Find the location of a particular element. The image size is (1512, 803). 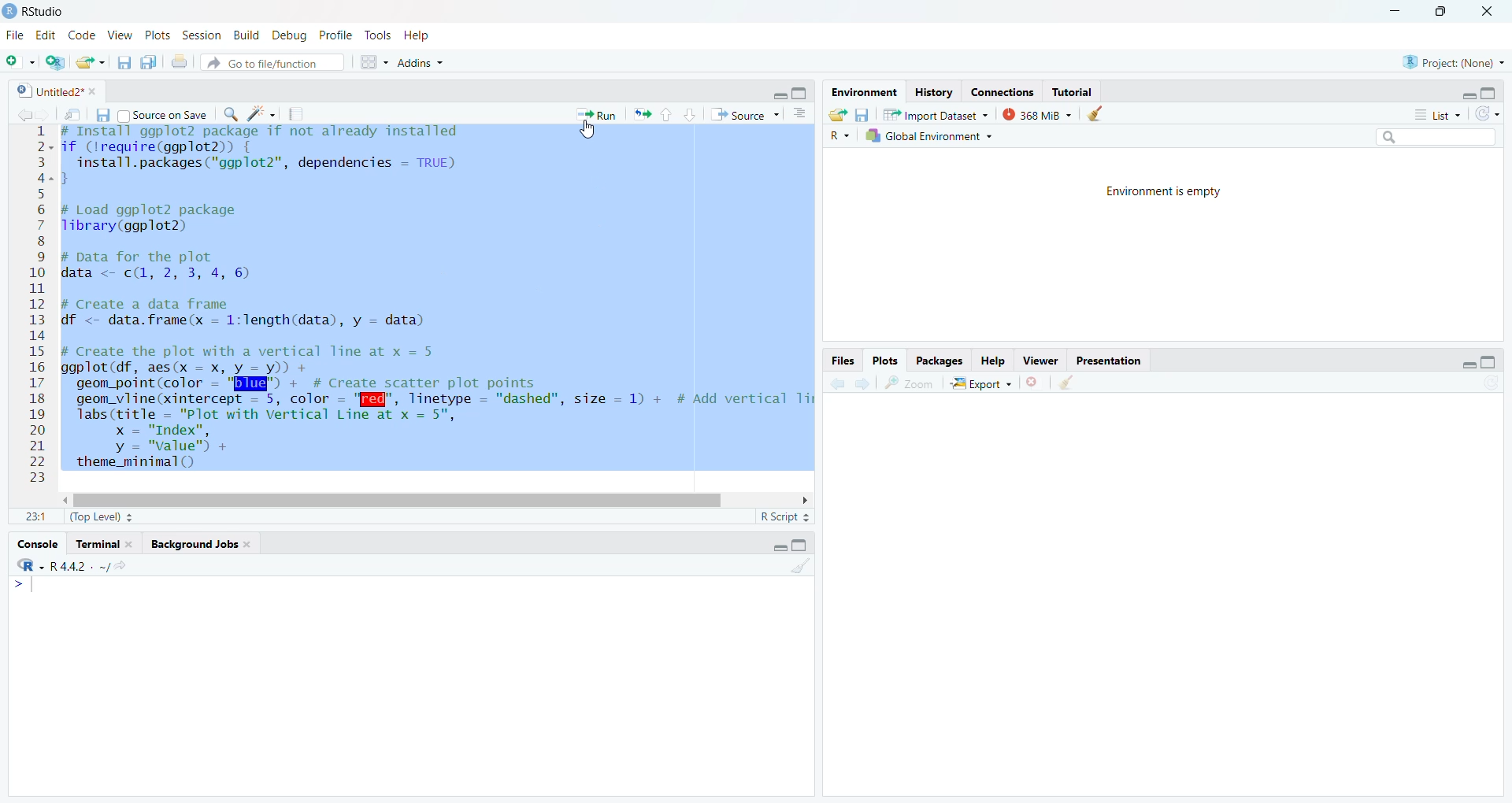

R442 . ~/ is located at coordinates (63, 565).